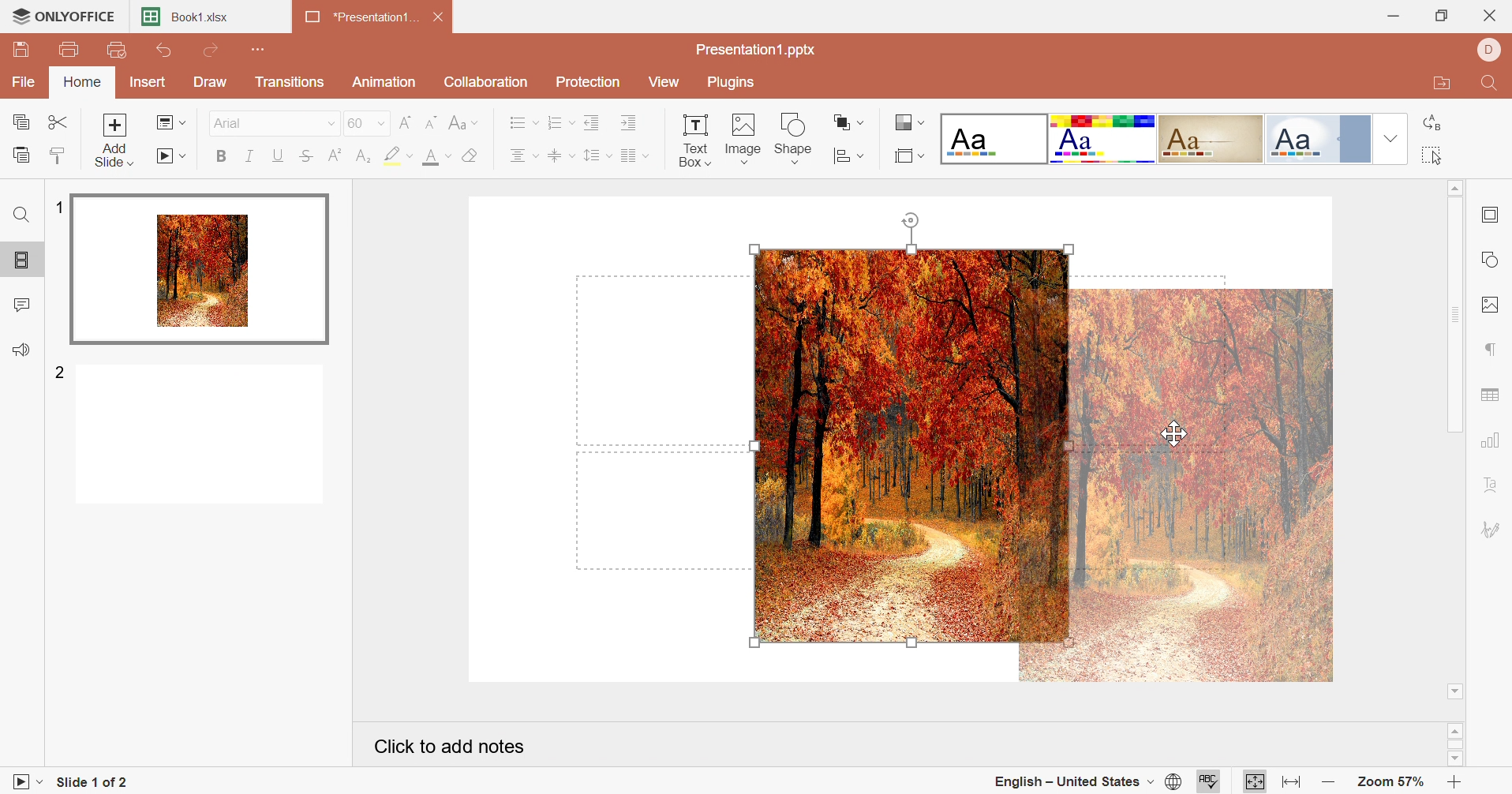 The height and width of the screenshot is (794, 1512). What do you see at coordinates (70, 51) in the screenshot?
I see `Print file` at bounding box center [70, 51].